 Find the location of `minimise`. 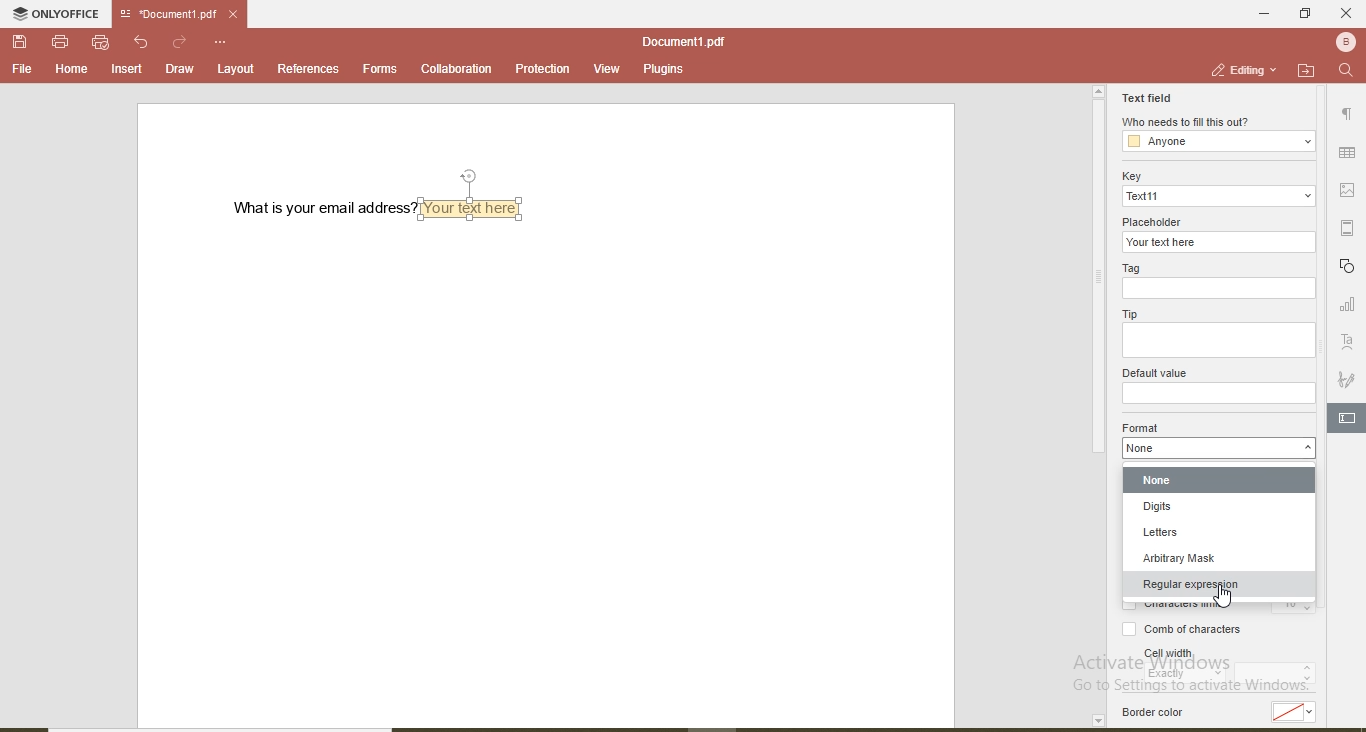

minimise is located at coordinates (1258, 12).